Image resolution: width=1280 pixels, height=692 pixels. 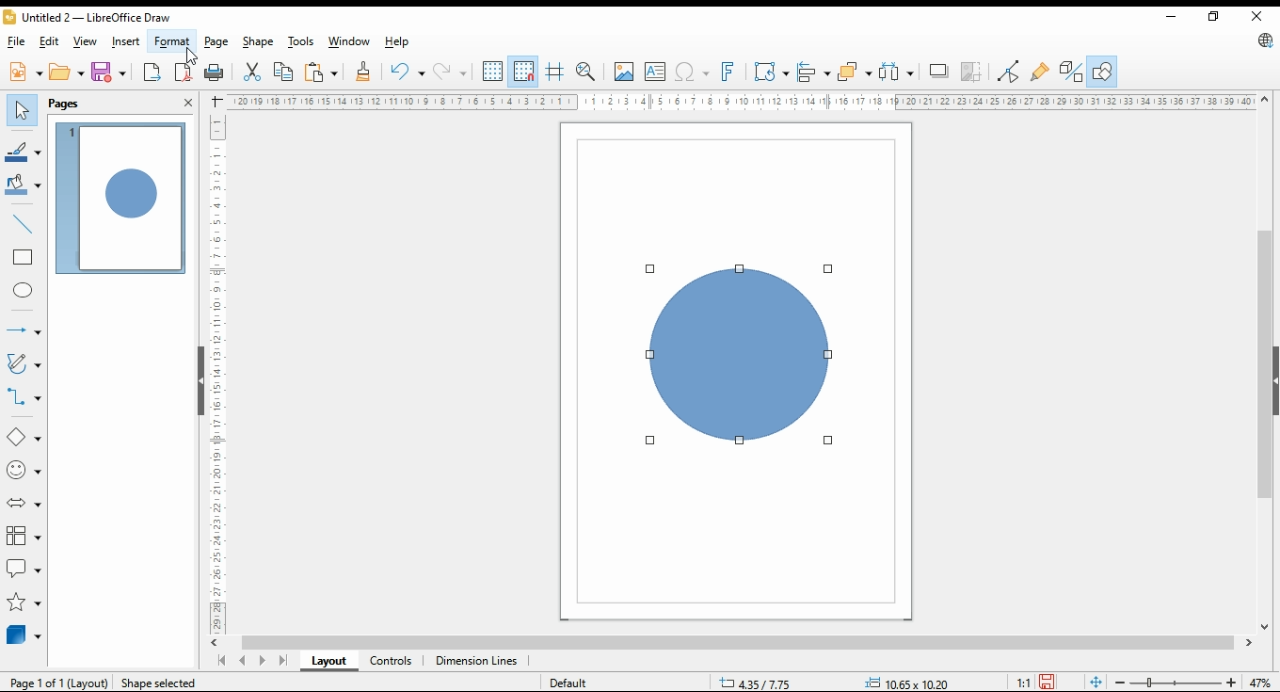 What do you see at coordinates (126, 41) in the screenshot?
I see `insert` at bounding box center [126, 41].